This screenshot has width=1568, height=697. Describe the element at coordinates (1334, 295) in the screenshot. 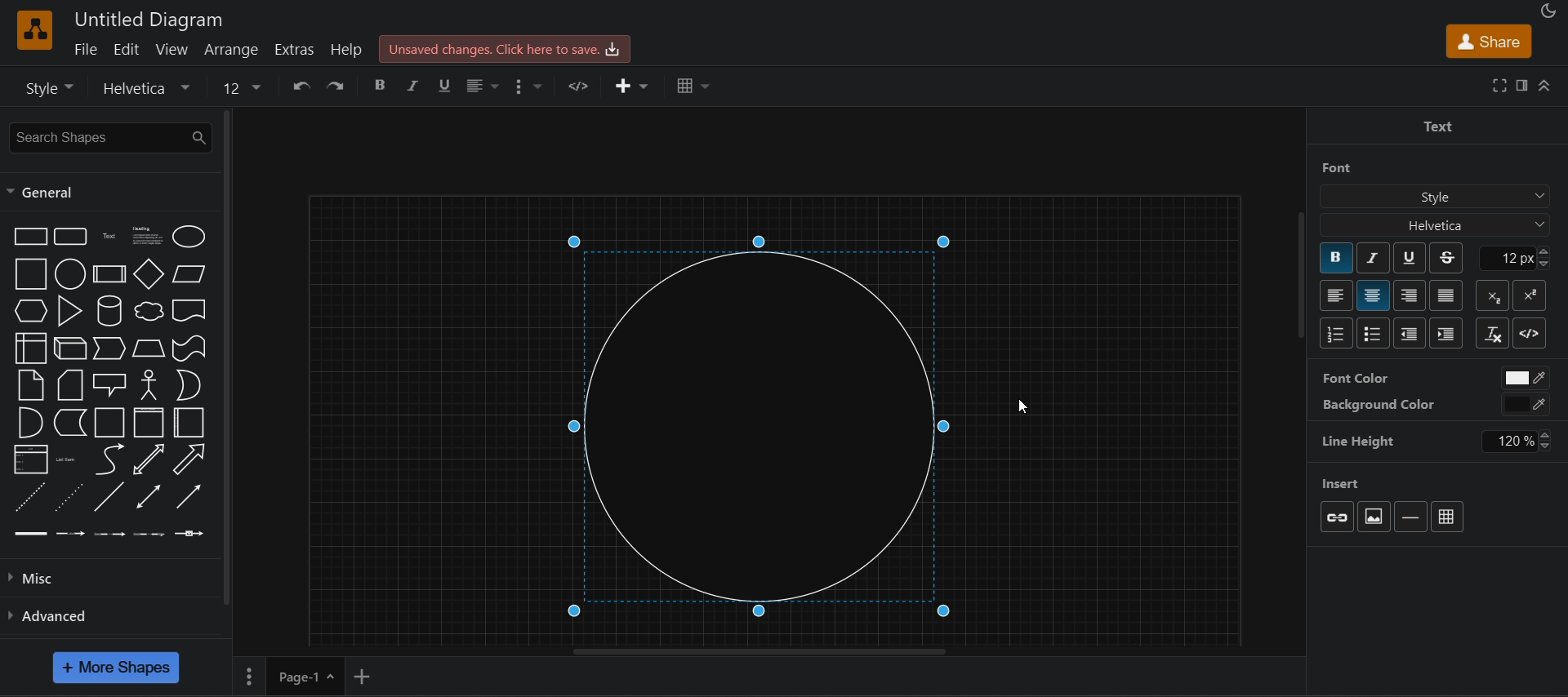

I see `left align` at that location.